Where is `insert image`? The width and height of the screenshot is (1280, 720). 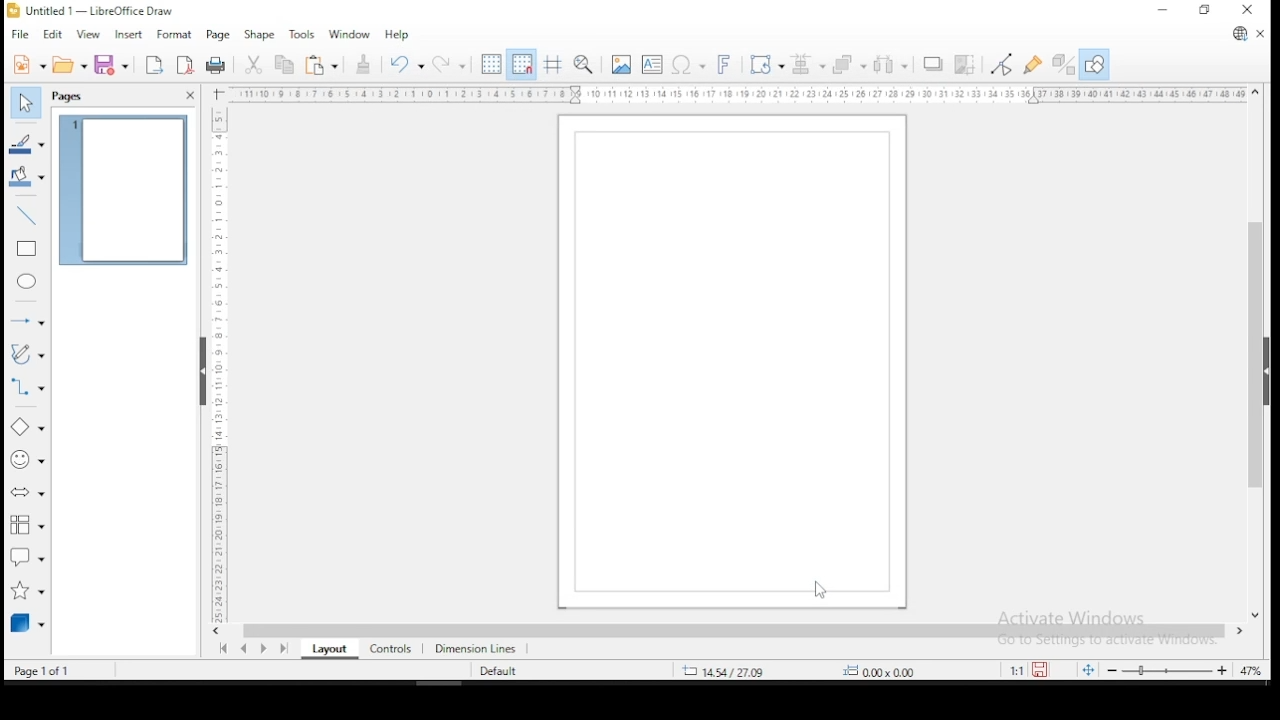
insert image is located at coordinates (621, 64).